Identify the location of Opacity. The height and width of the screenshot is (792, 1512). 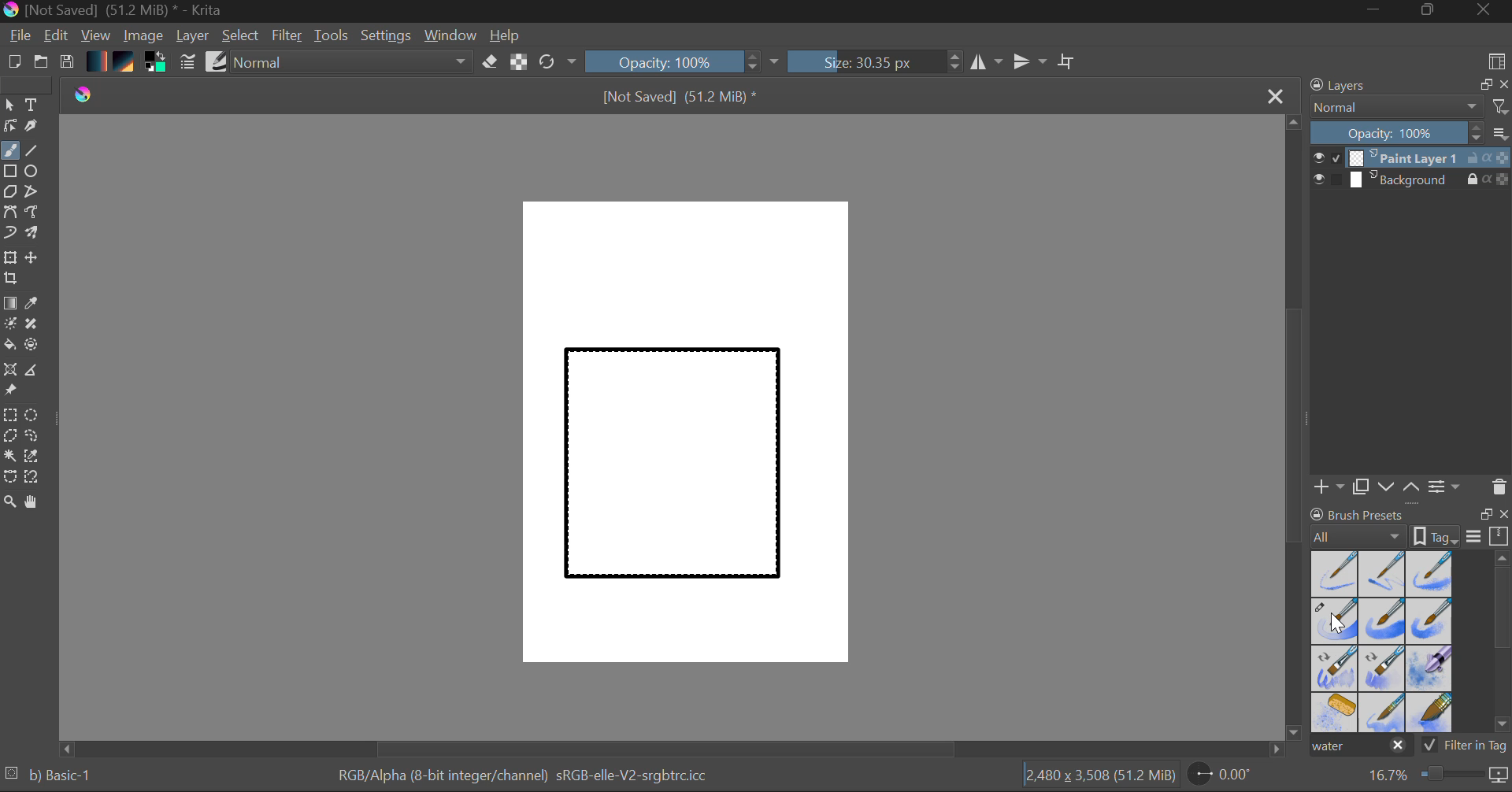
(684, 61).